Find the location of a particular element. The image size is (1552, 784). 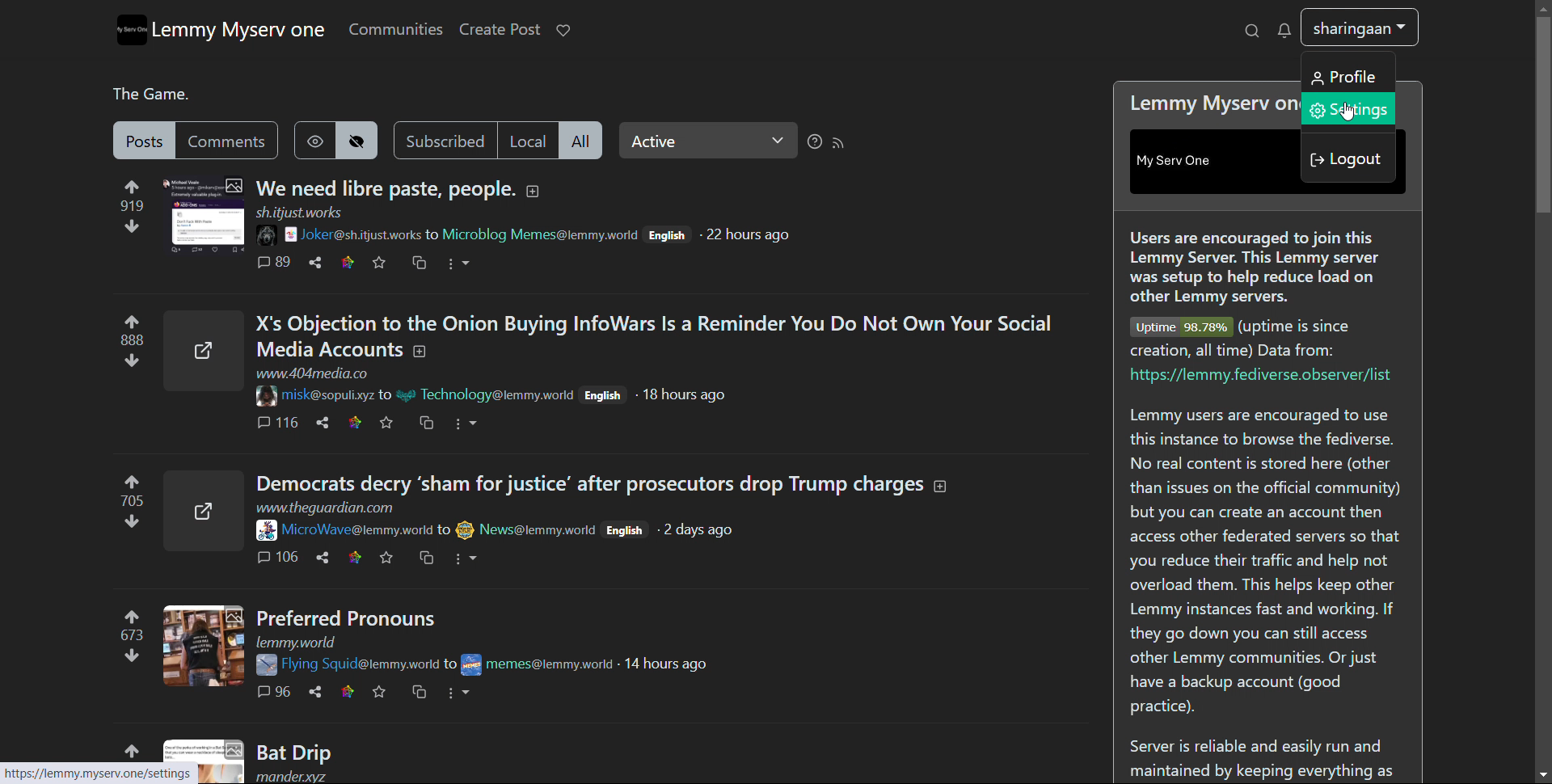

hide hidden posts is located at coordinates (356, 141).